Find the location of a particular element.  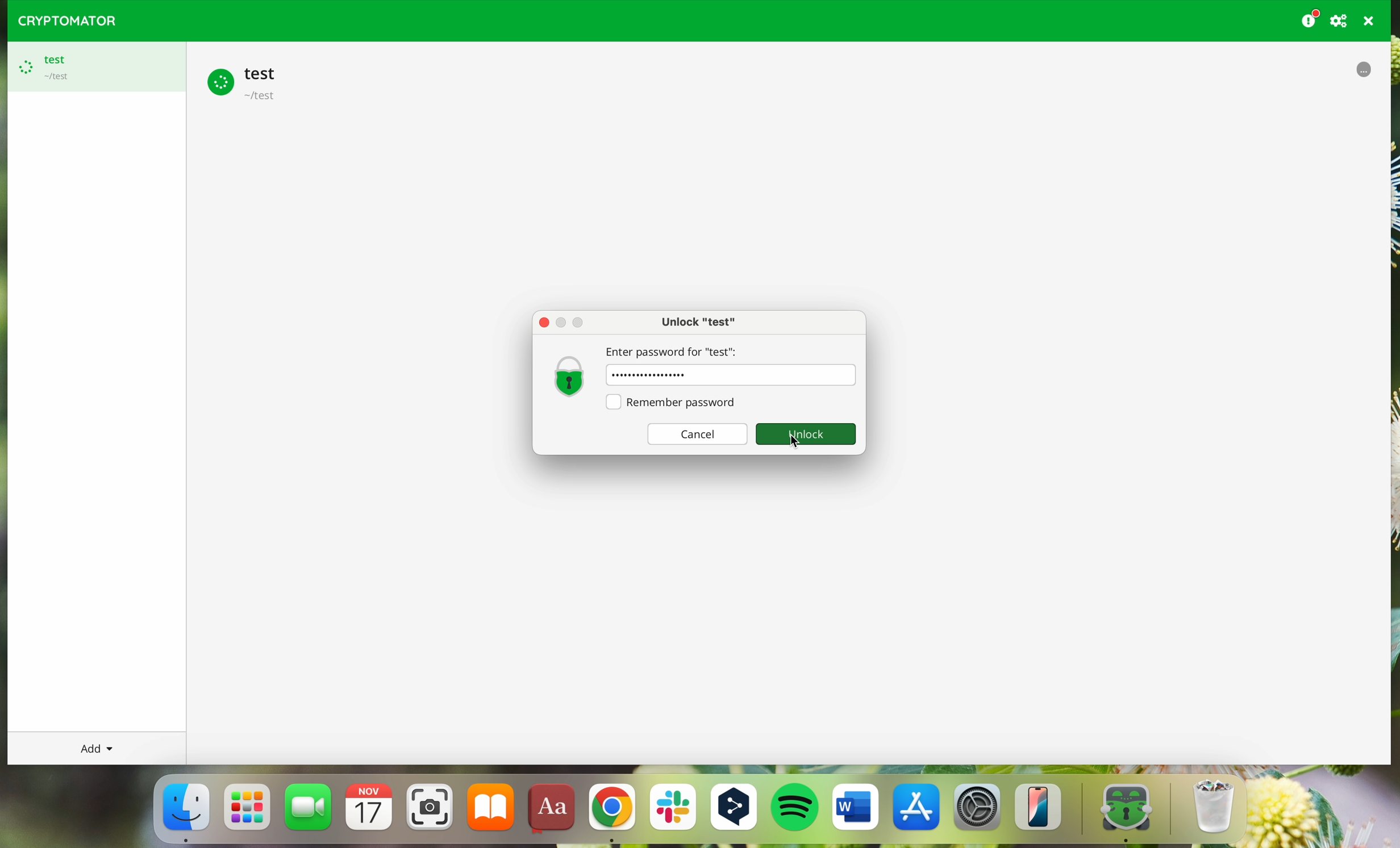

password is located at coordinates (728, 376).